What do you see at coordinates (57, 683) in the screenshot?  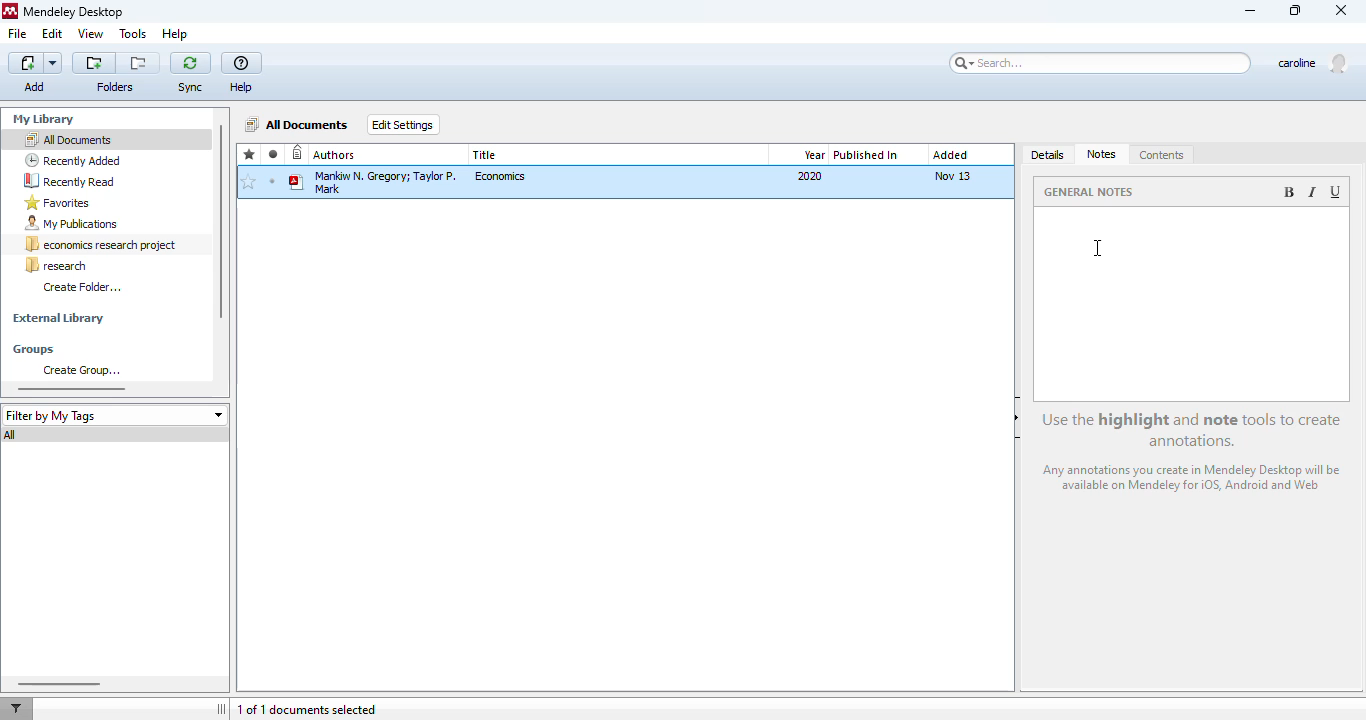 I see `horizontal scroll bar` at bounding box center [57, 683].